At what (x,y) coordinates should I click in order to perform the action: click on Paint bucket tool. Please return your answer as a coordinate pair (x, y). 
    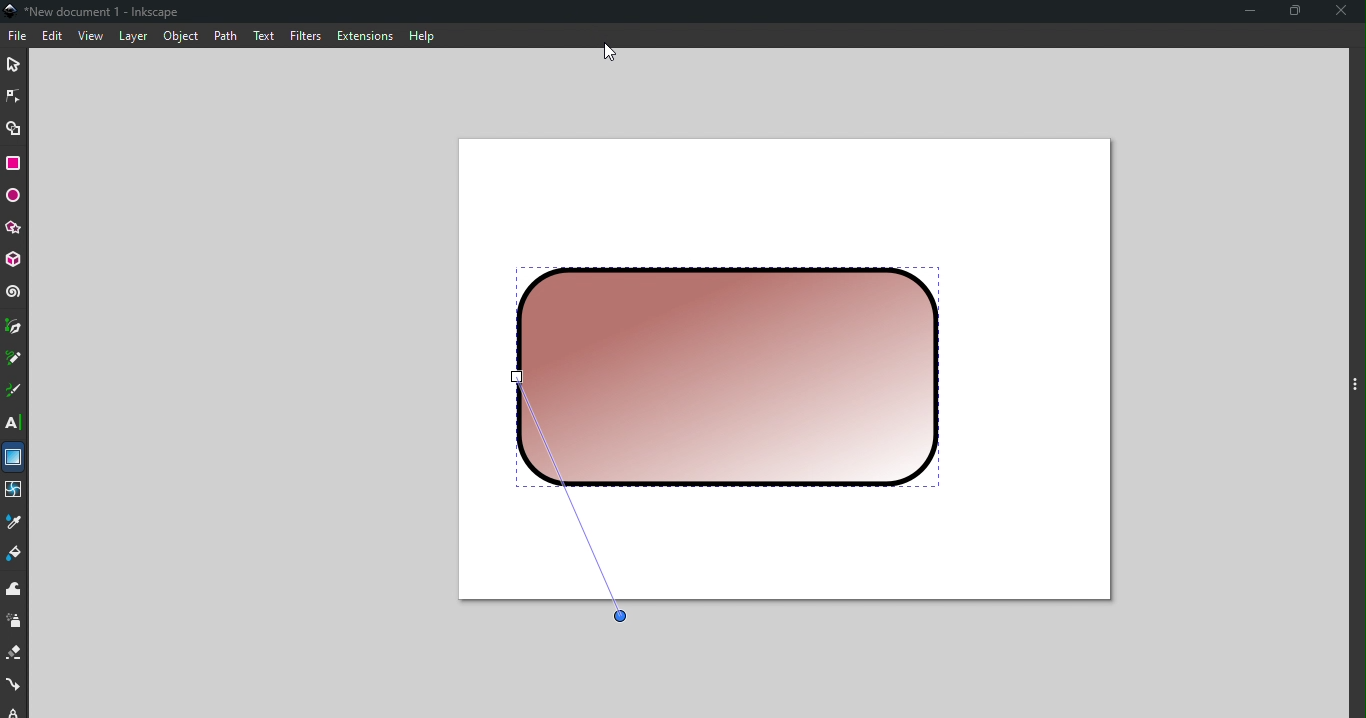
    Looking at the image, I should click on (18, 557).